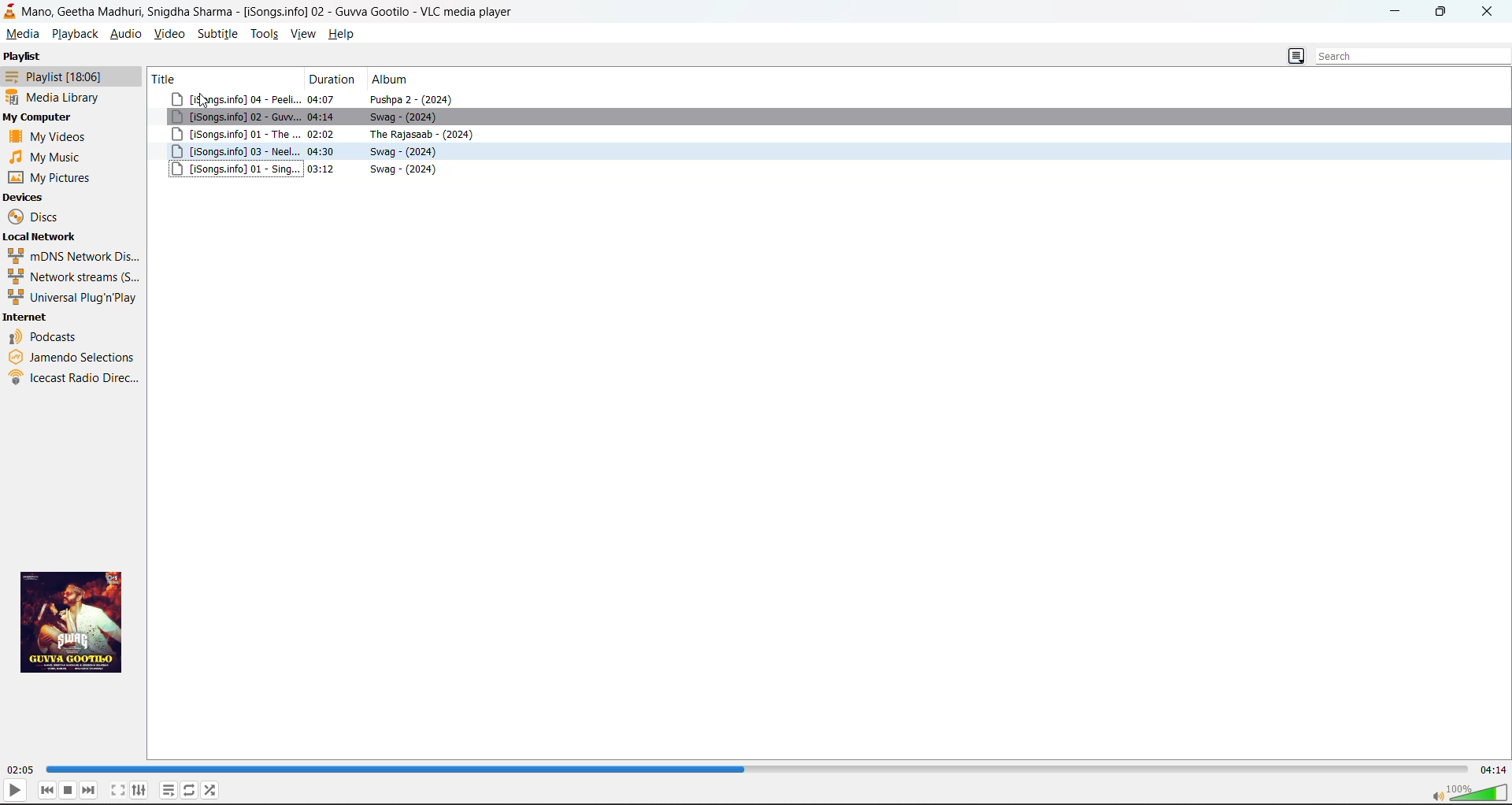 The width and height of the screenshot is (1512, 805). I want to click on search, so click(1406, 57).